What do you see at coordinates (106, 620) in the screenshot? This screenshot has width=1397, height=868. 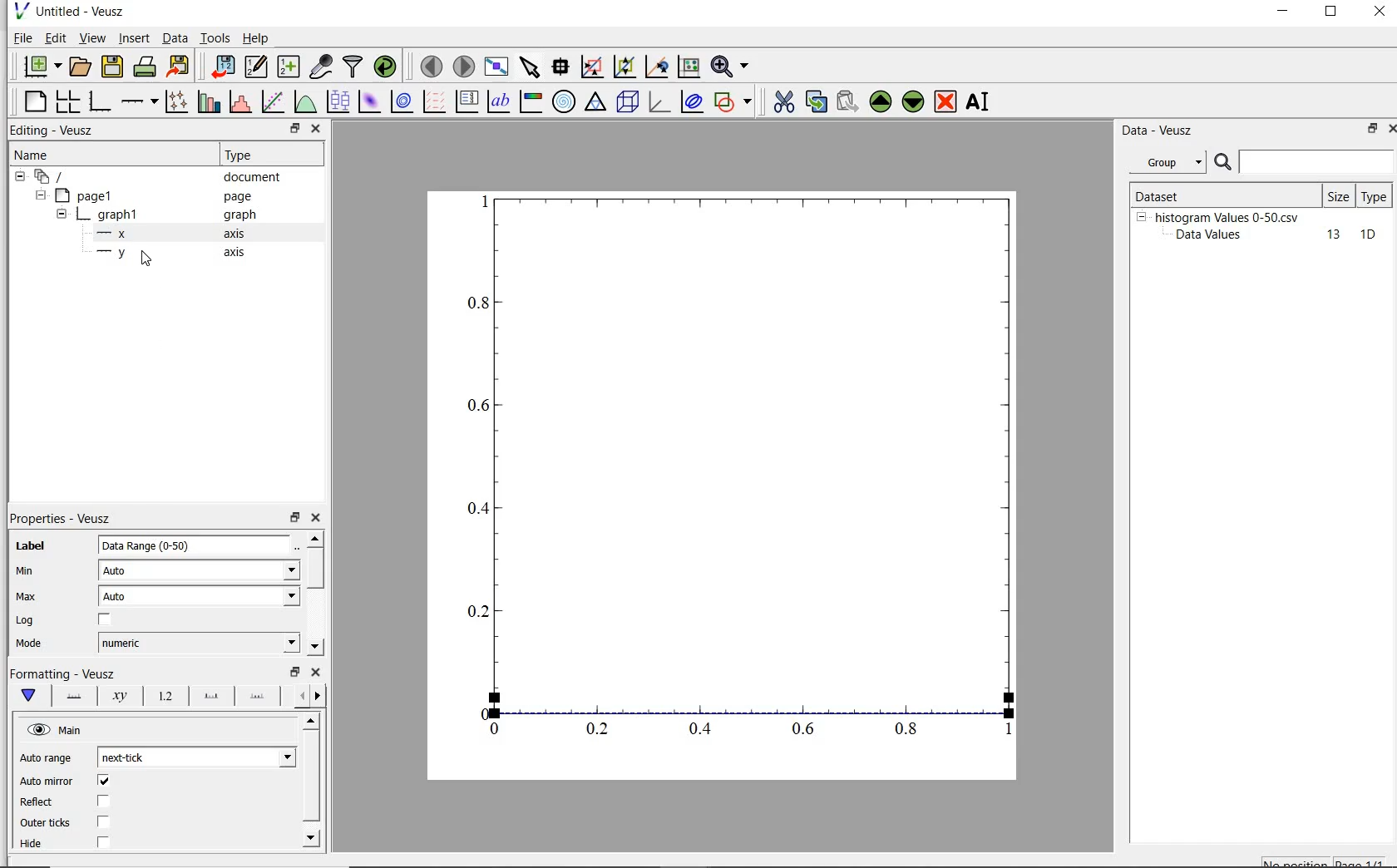 I see `chcekbox` at bounding box center [106, 620].